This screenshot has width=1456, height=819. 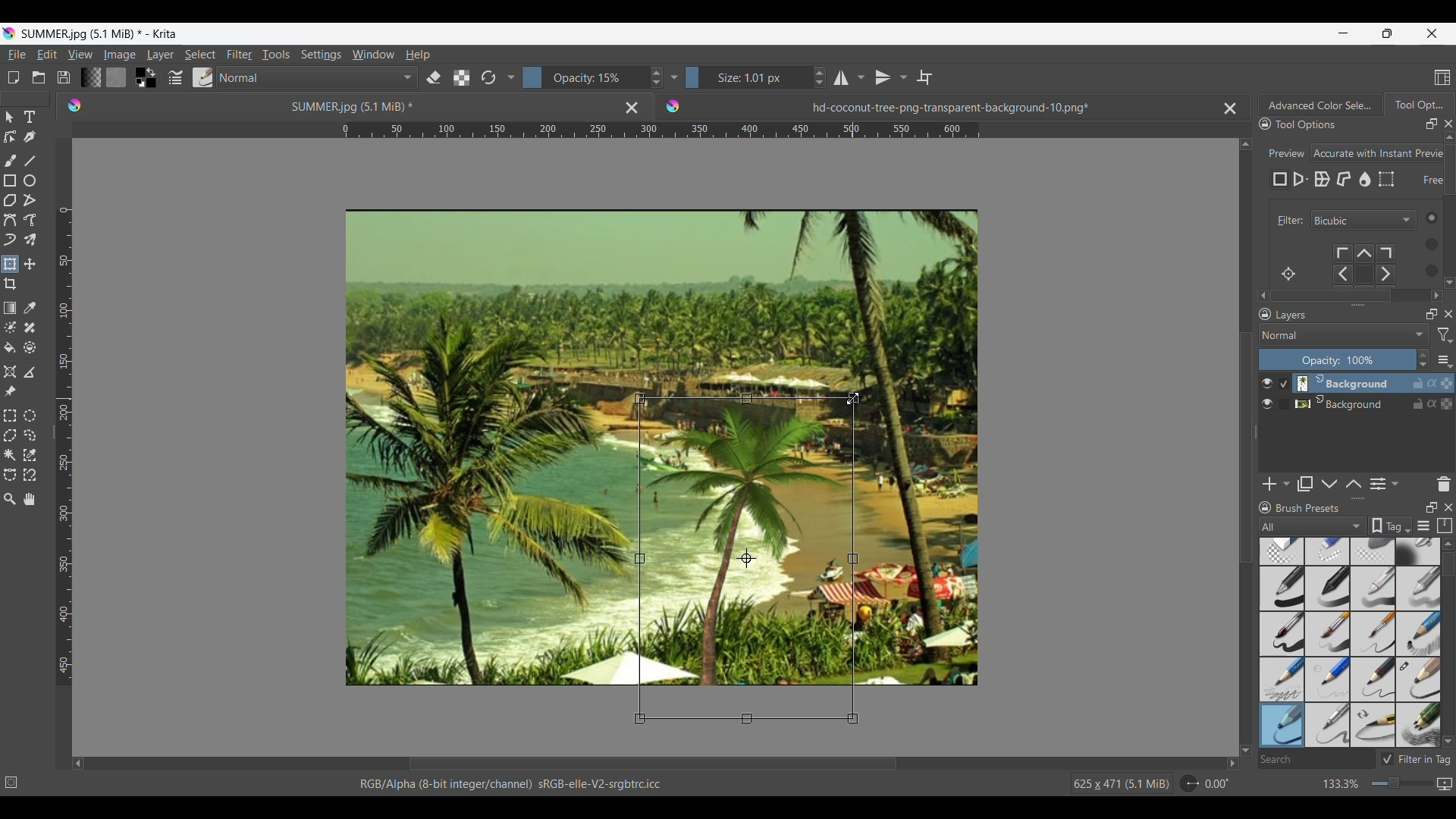 What do you see at coordinates (10, 347) in the screenshot?
I see `Fill` at bounding box center [10, 347].